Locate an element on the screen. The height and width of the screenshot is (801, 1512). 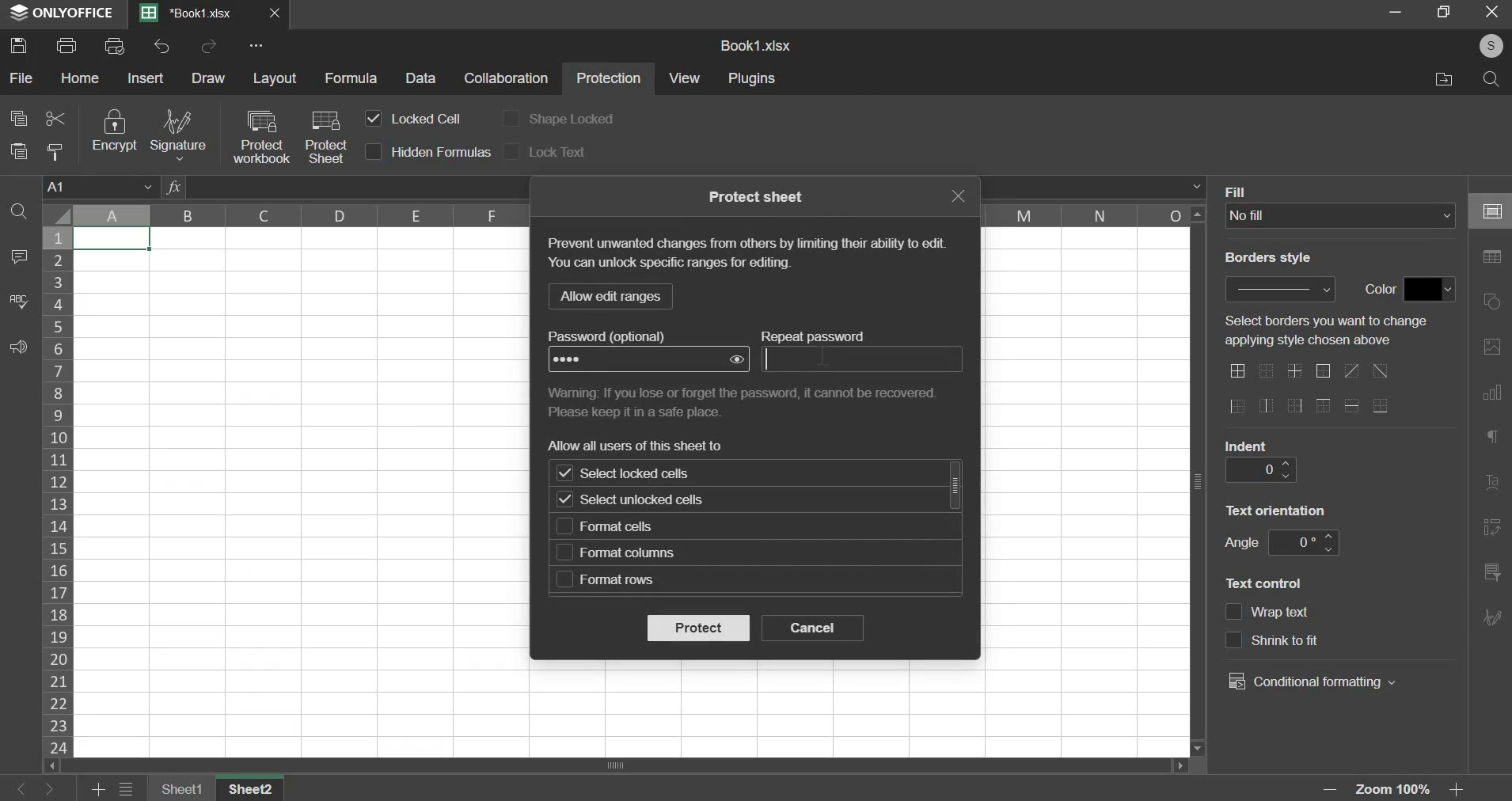
border options is located at coordinates (1322, 372).